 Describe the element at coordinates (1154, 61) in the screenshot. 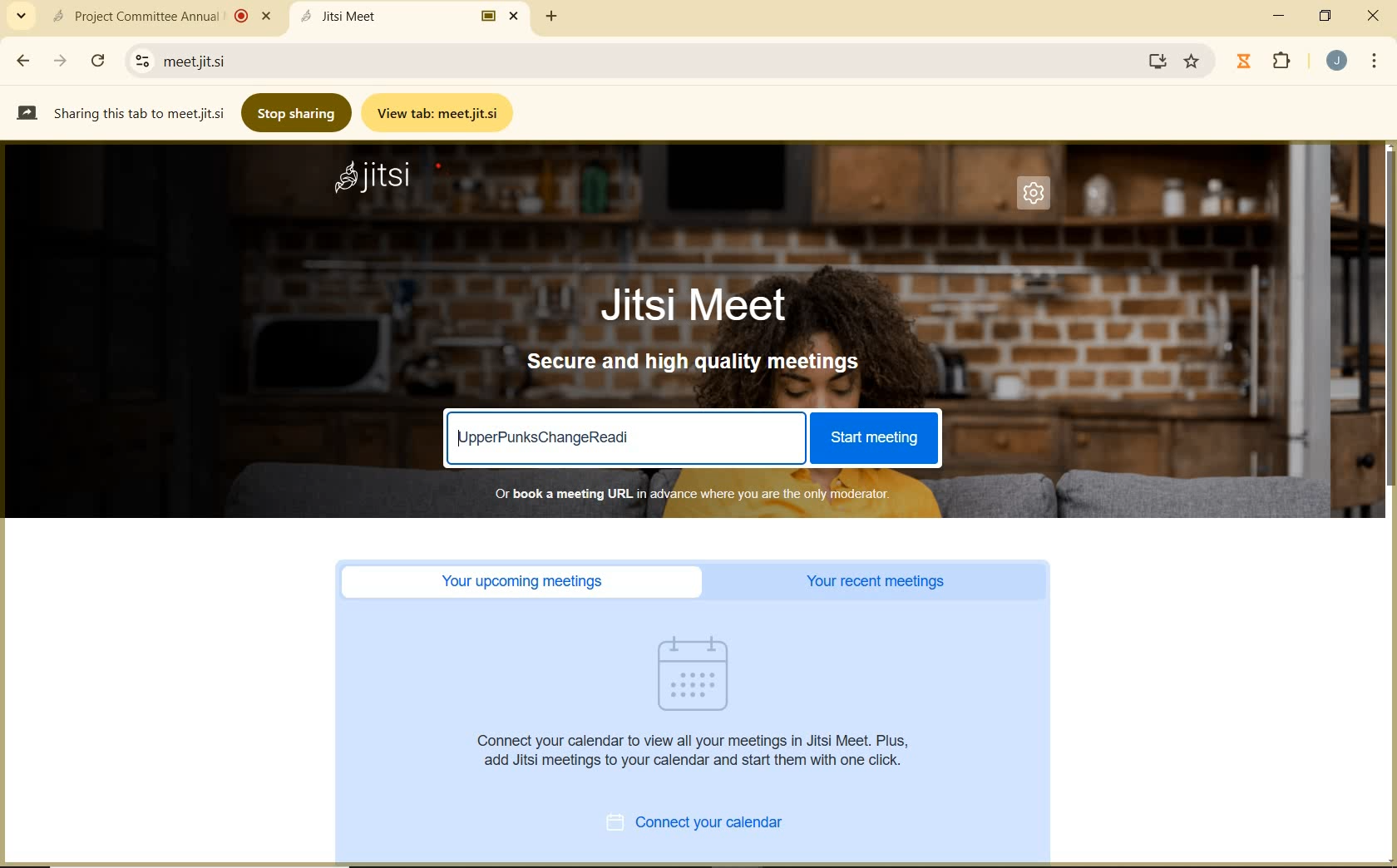

I see `screen` at that location.